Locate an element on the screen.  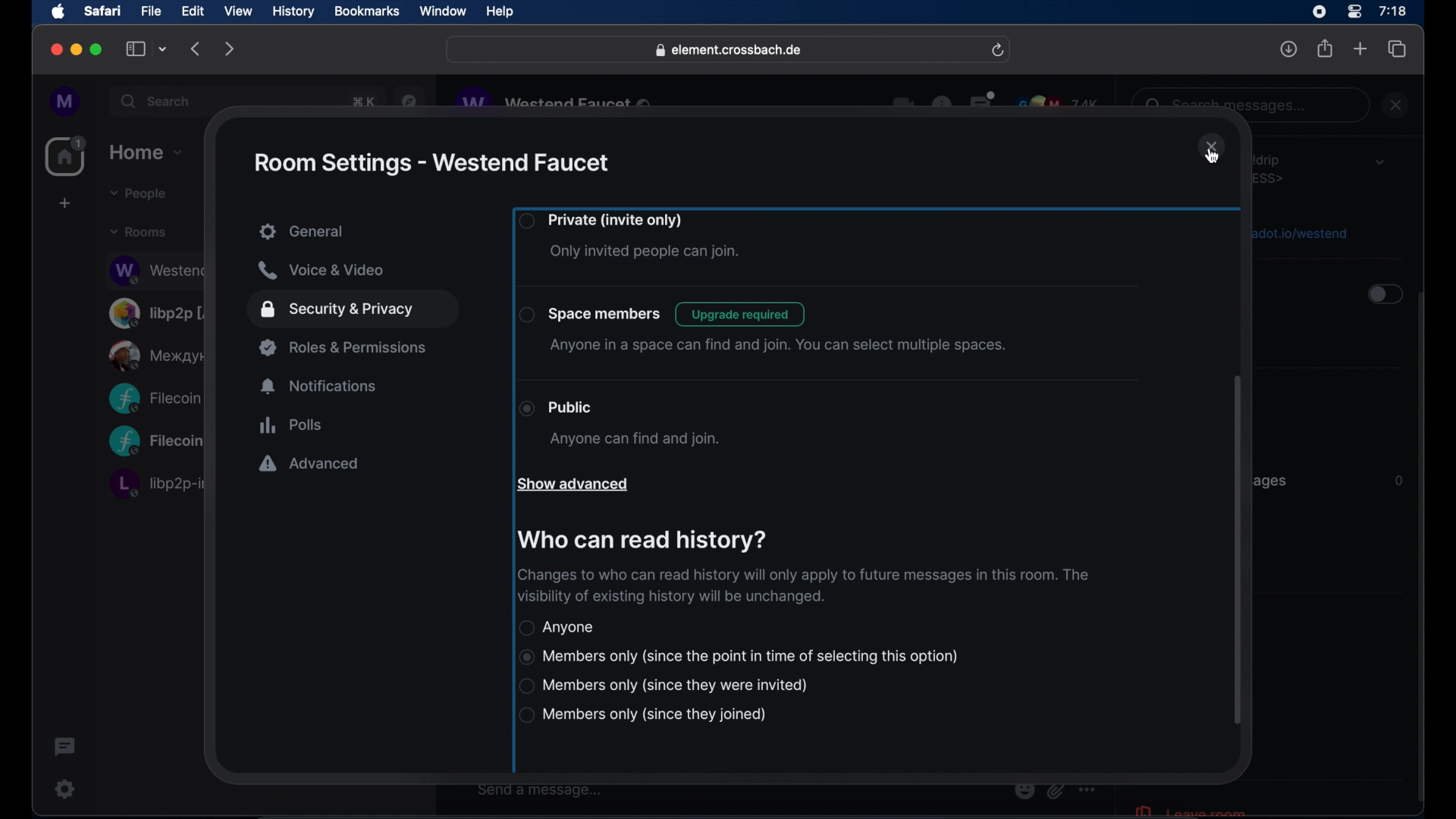
safari is located at coordinates (102, 11).